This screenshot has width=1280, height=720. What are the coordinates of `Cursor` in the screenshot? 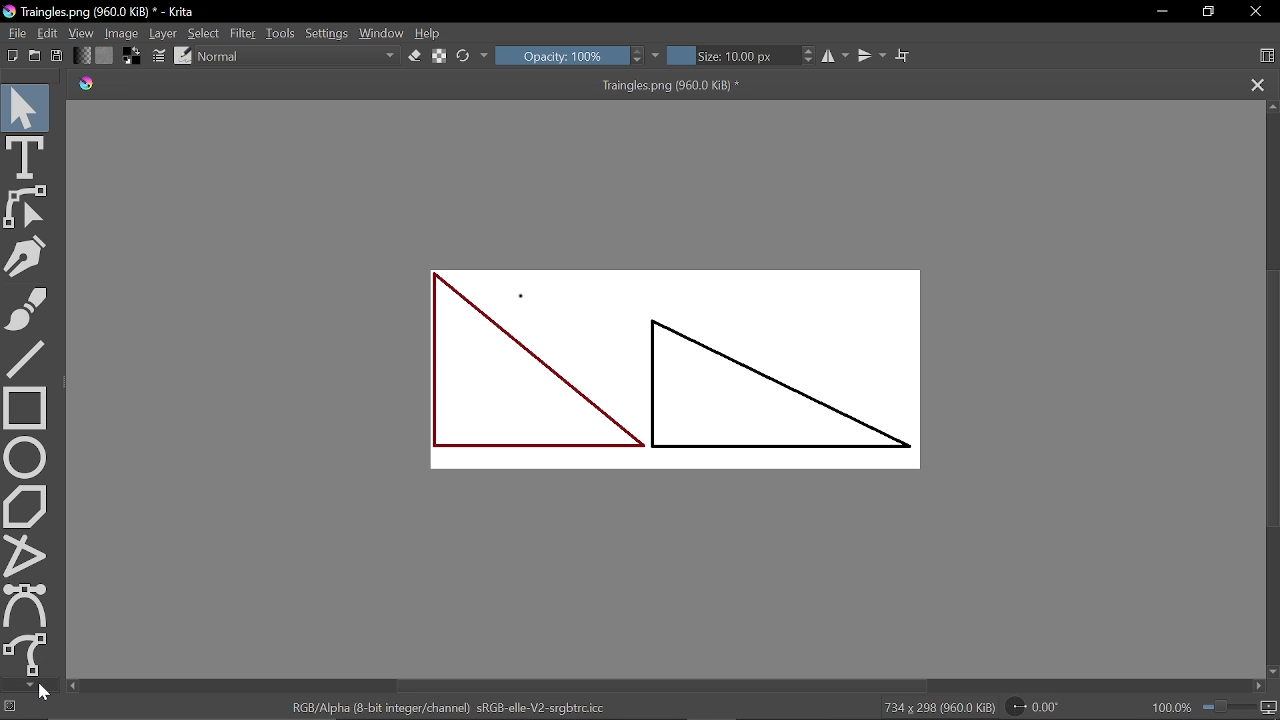 It's located at (44, 693).